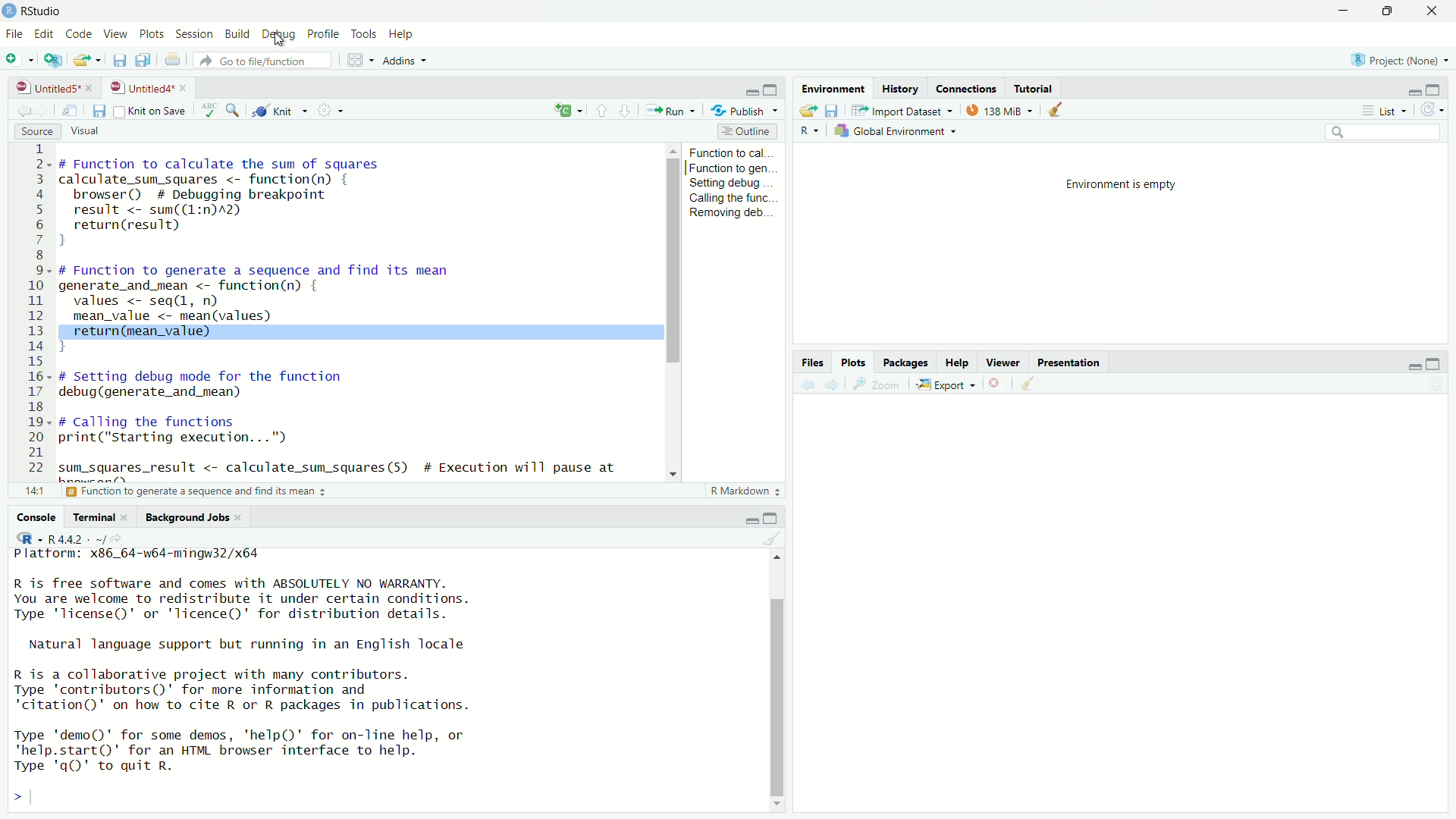 Image resolution: width=1456 pixels, height=819 pixels. I want to click on refresh the list of objects, so click(1437, 110).